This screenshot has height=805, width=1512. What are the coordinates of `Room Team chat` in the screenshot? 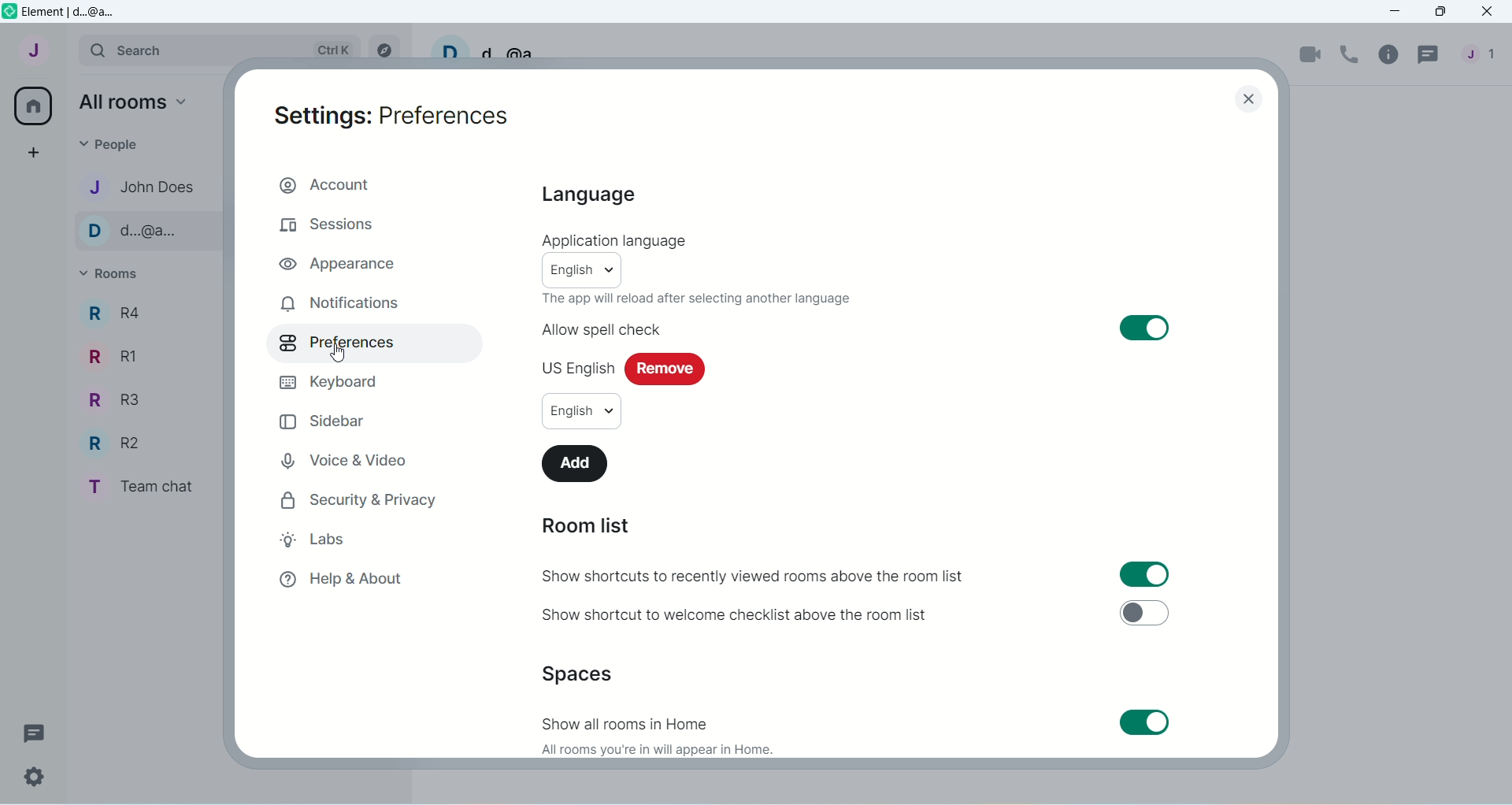 It's located at (146, 487).